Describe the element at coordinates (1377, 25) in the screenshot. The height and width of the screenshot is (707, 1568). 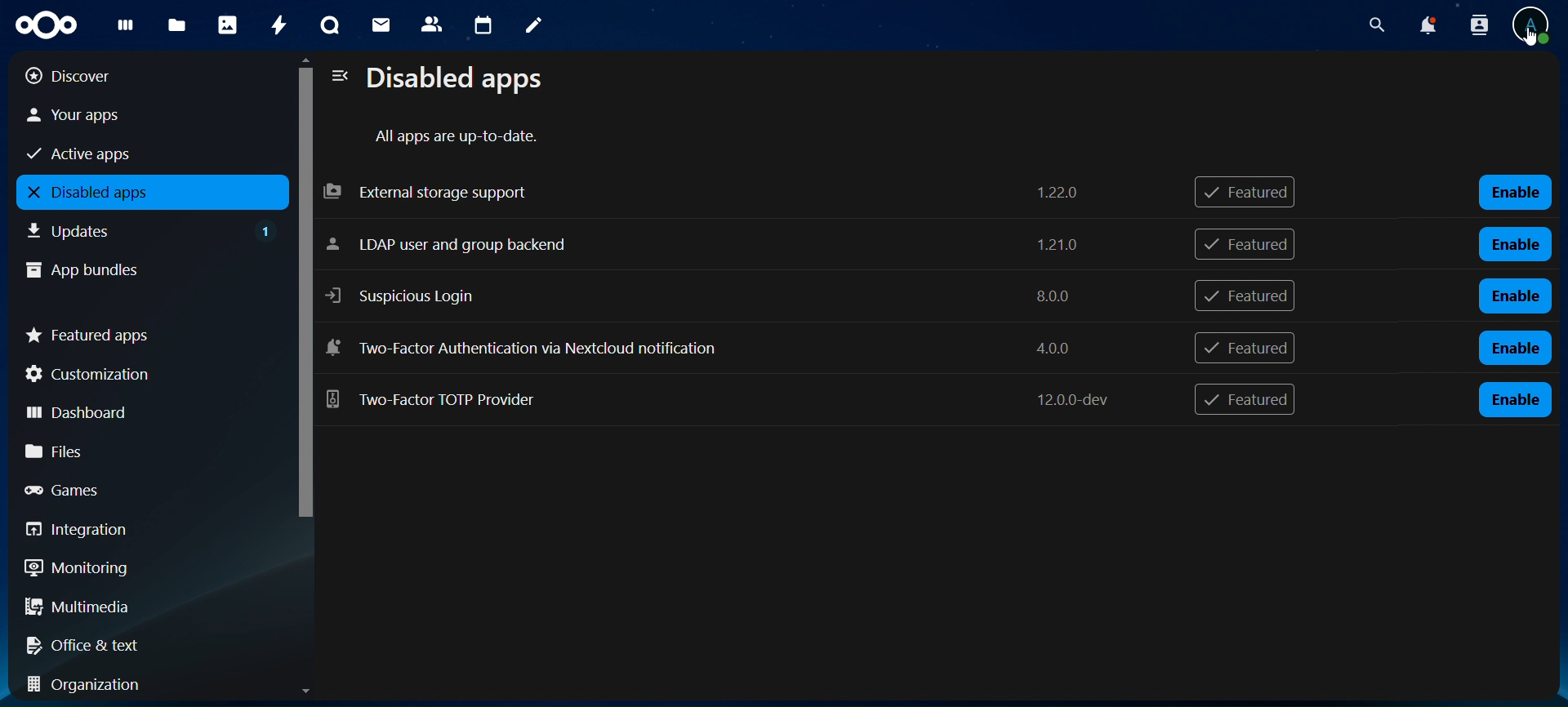
I see `search` at that location.